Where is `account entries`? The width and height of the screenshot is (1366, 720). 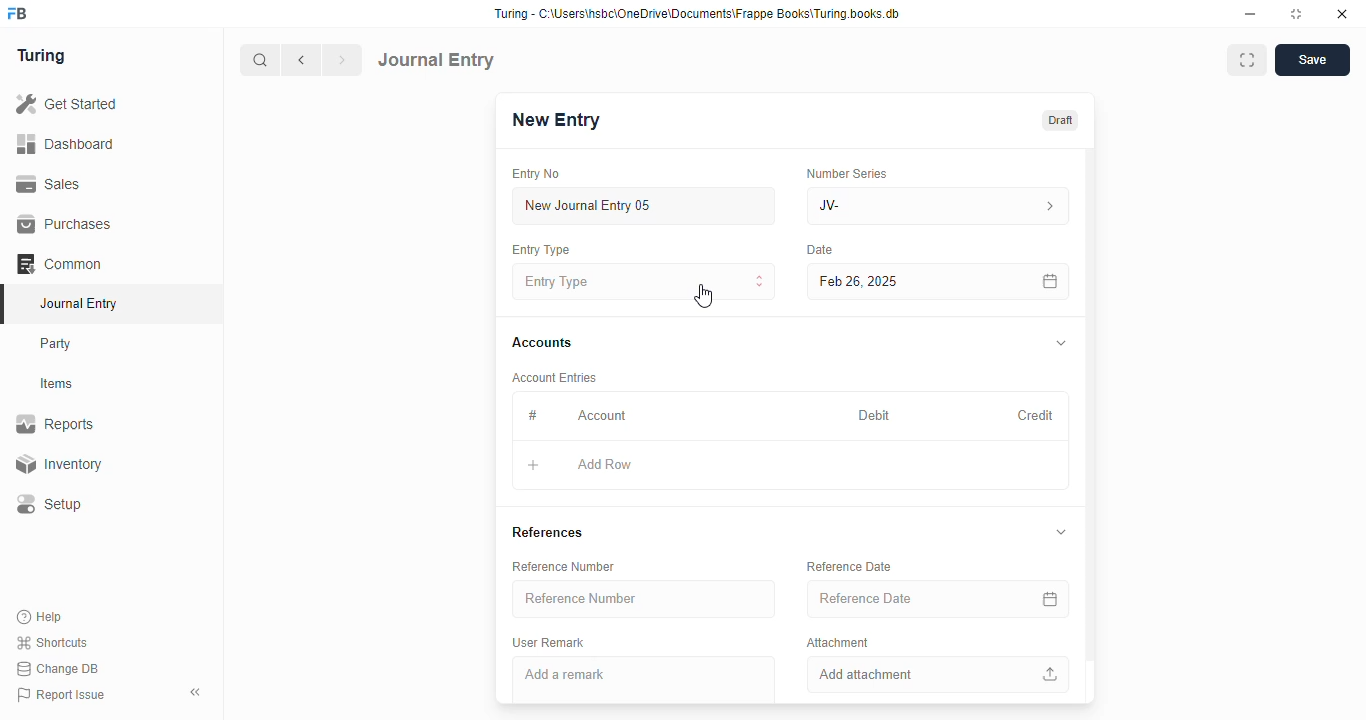 account entries is located at coordinates (554, 377).